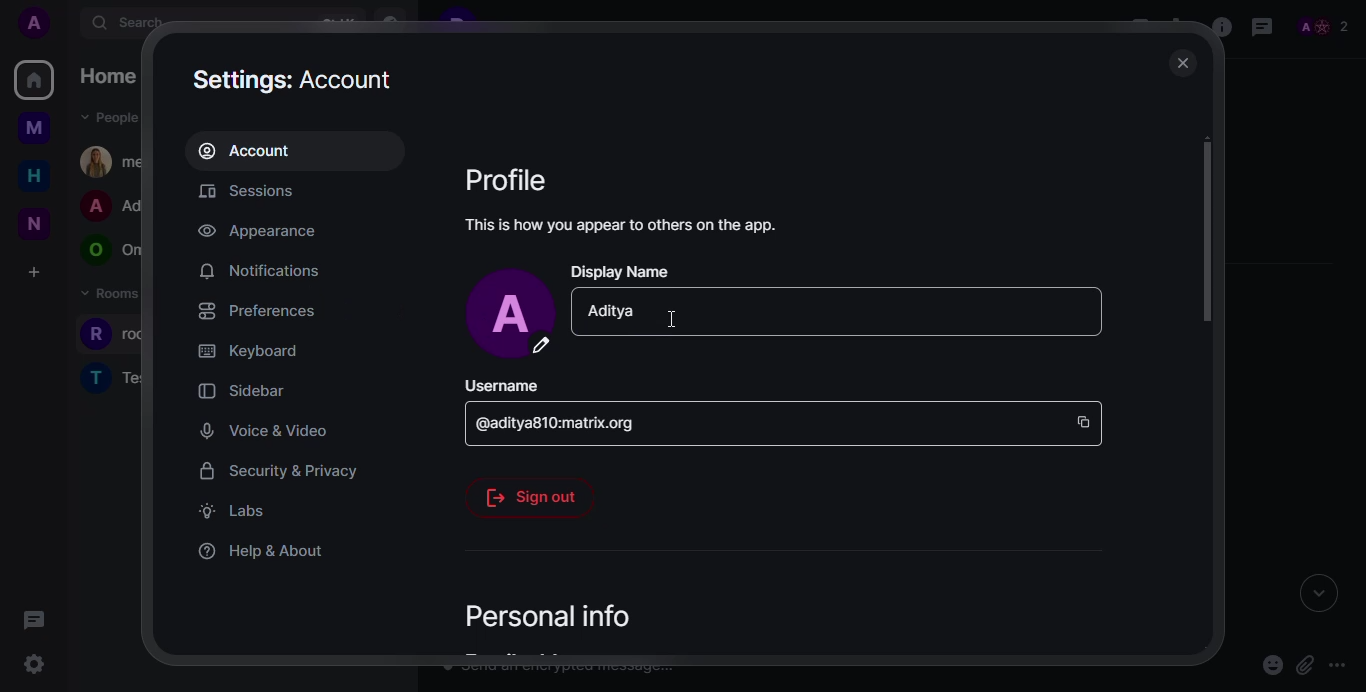 The image size is (1366, 692). What do you see at coordinates (109, 78) in the screenshot?
I see `home` at bounding box center [109, 78].